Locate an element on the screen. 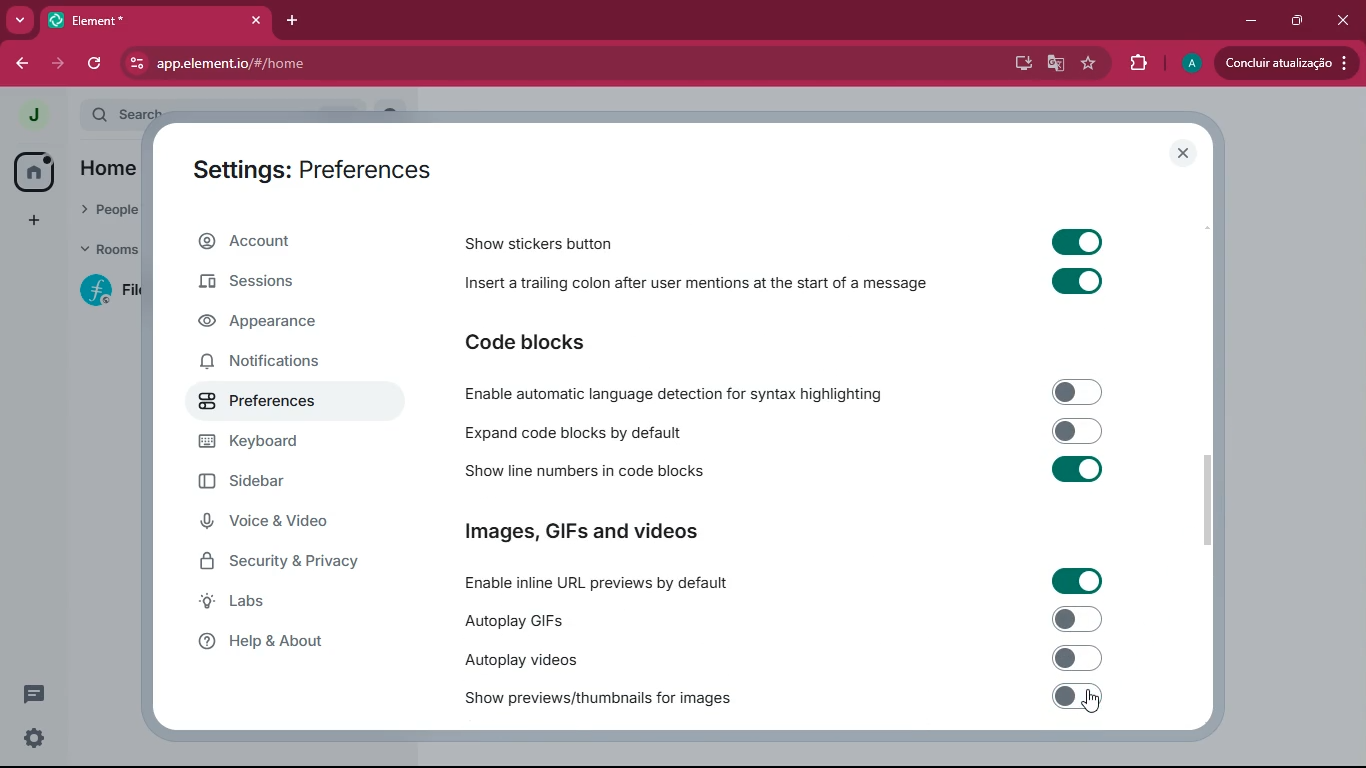  Enable automatic language detection for syntax highlighting is located at coordinates (672, 392).